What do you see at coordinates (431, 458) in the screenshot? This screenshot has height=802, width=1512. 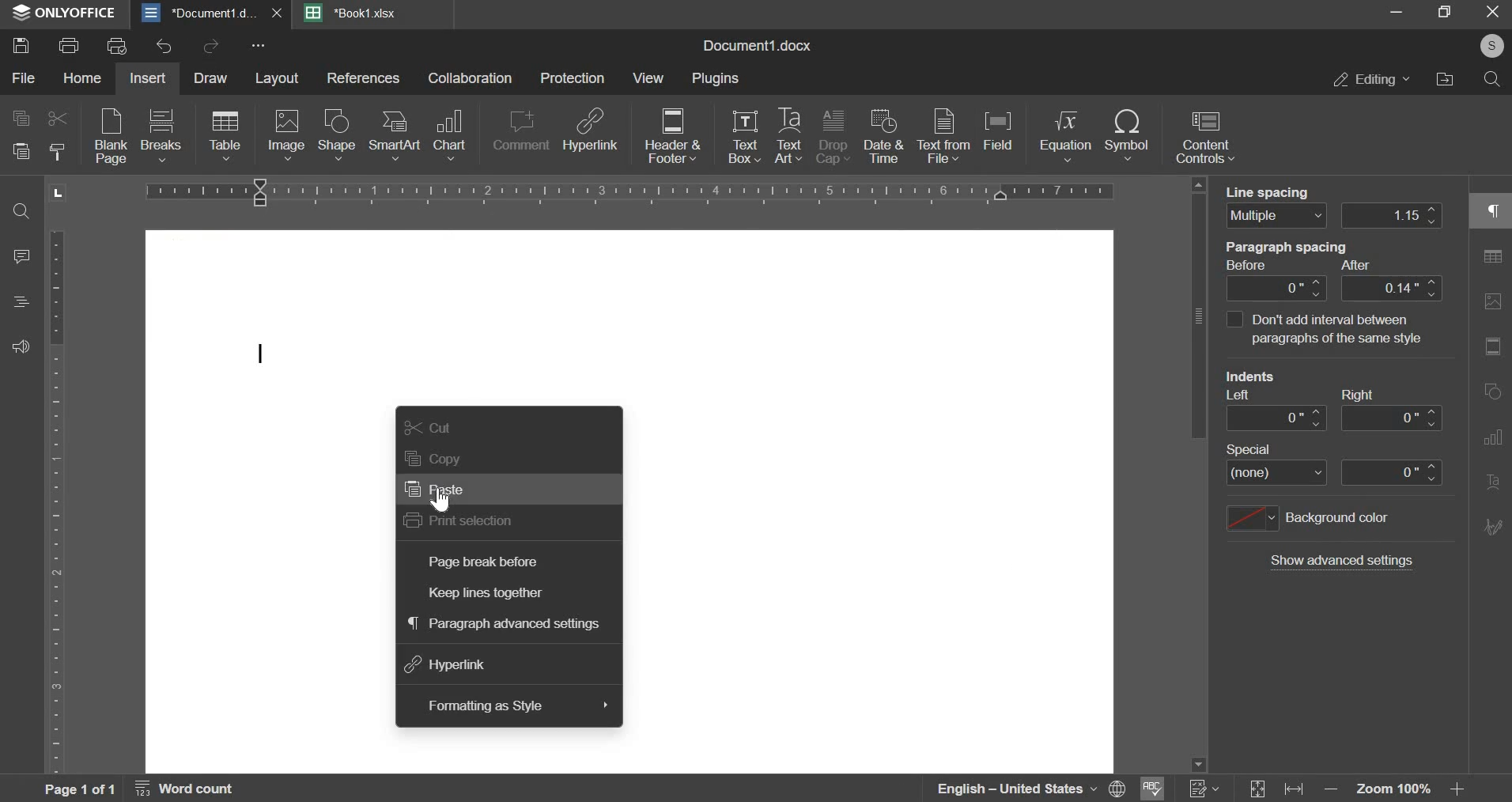 I see `copy` at bounding box center [431, 458].